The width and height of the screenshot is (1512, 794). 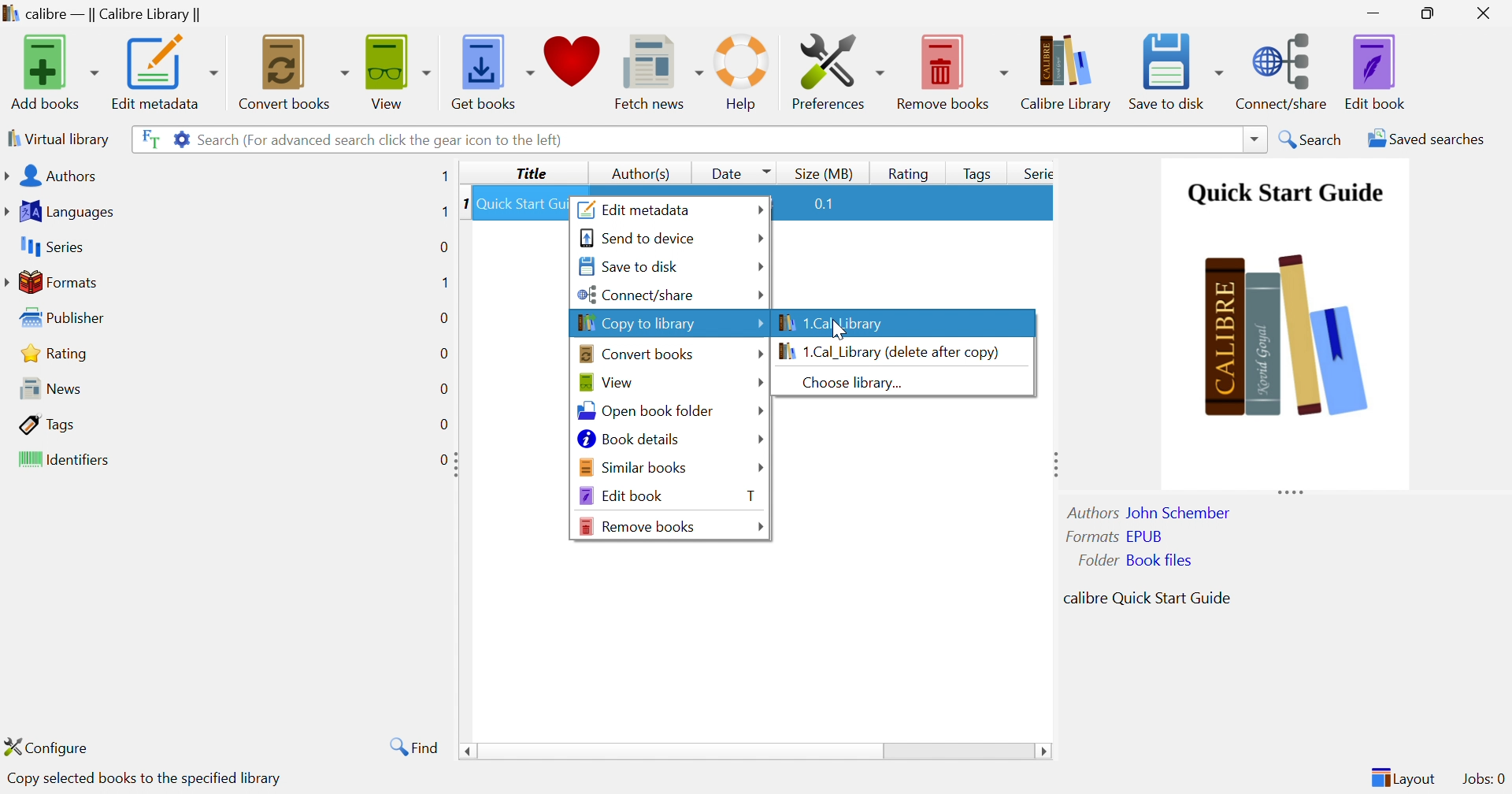 I want to click on Expand, so click(x=1054, y=462).